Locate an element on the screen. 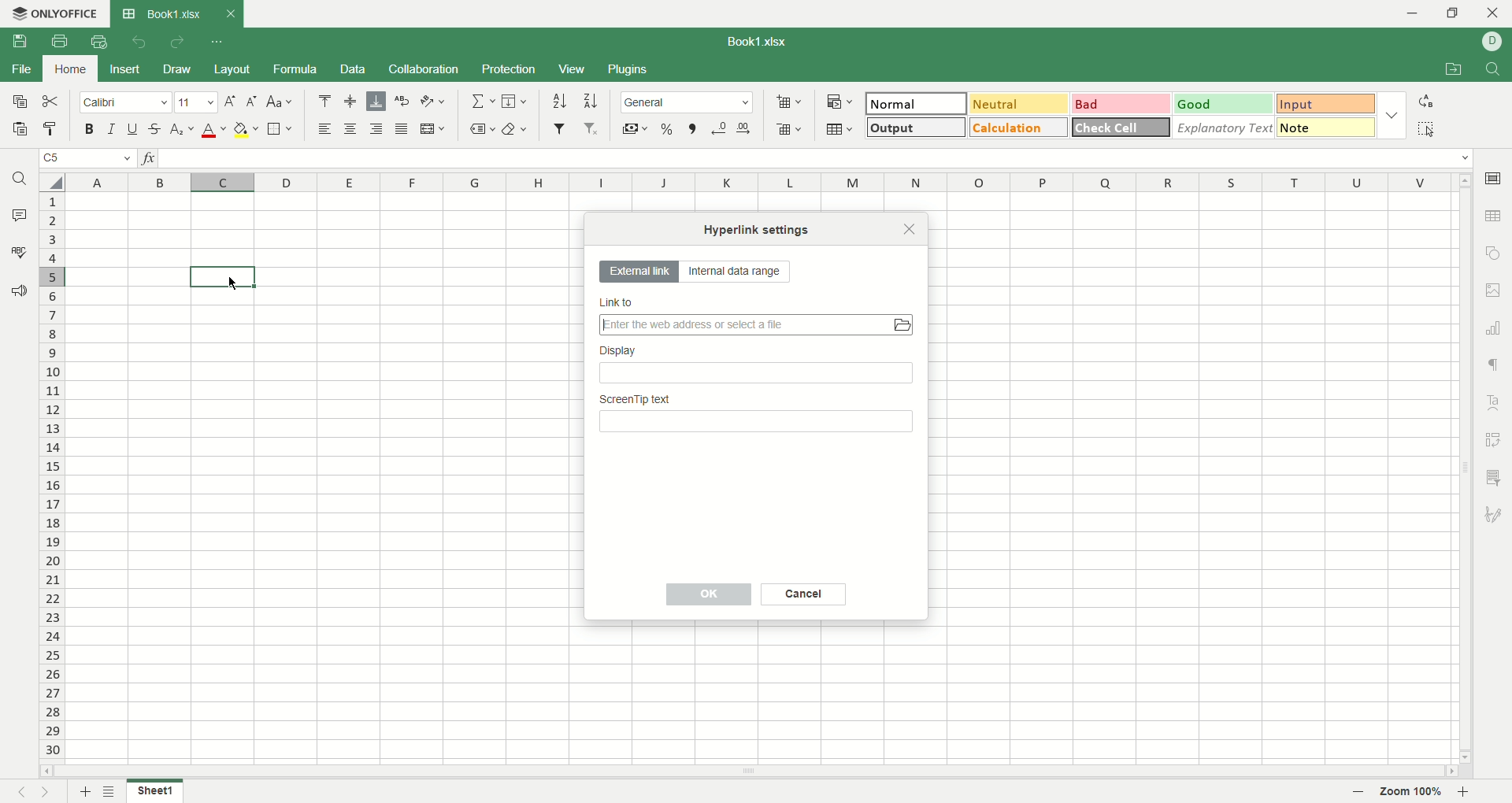 This screenshot has height=803, width=1512. home is located at coordinates (72, 68).